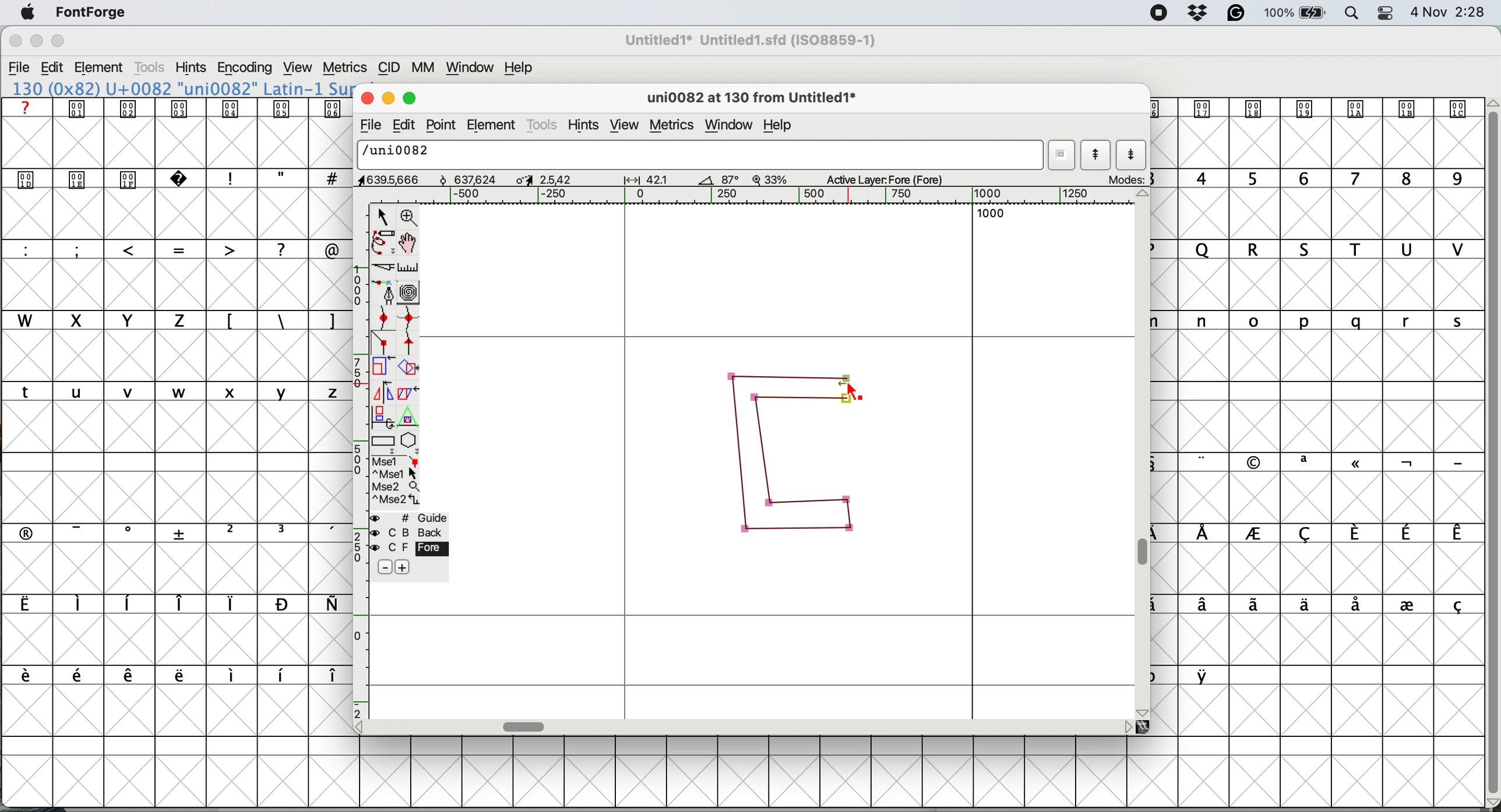 The image size is (1501, 812). Describe the element at coordinates (732, 125) in the screenshot. I see `window` at that location.